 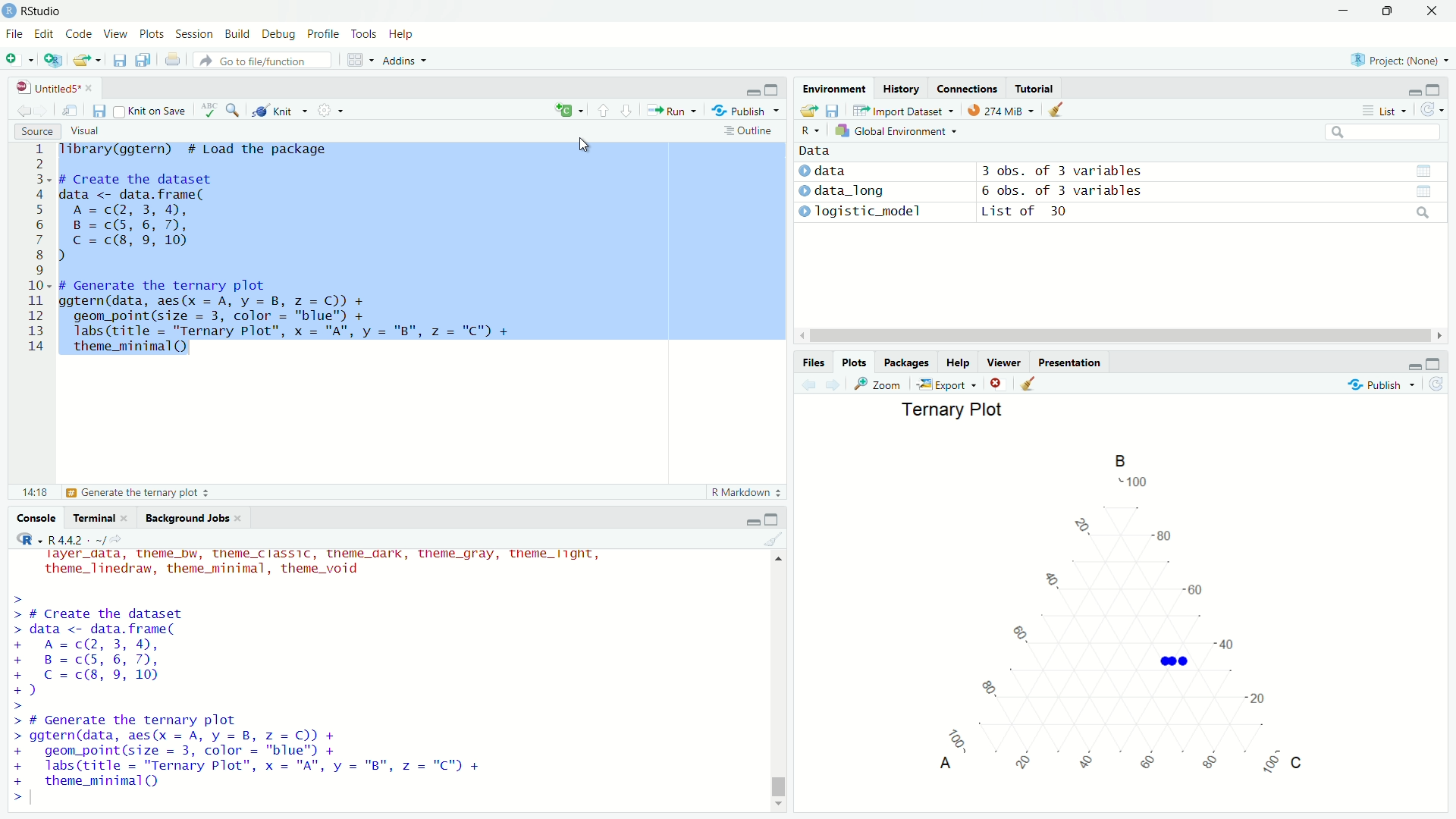 What do you see at coordinates (256, 60) in the screenshot?
I see `Go to file/function` at bounding box center [256, 60].